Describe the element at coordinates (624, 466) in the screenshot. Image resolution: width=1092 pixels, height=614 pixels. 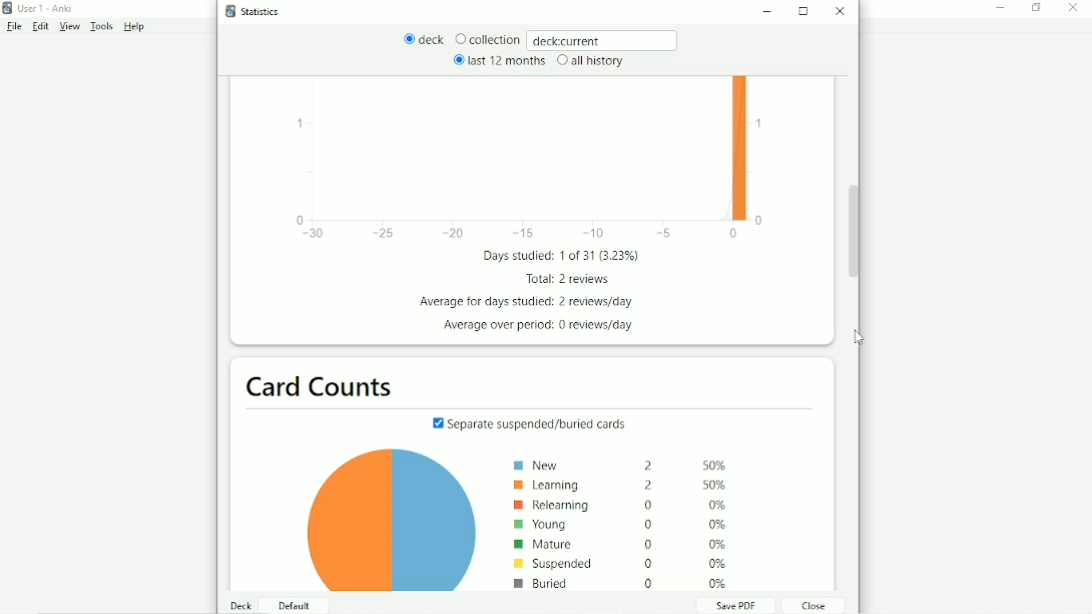
I see ` New 2 50%` at that location.